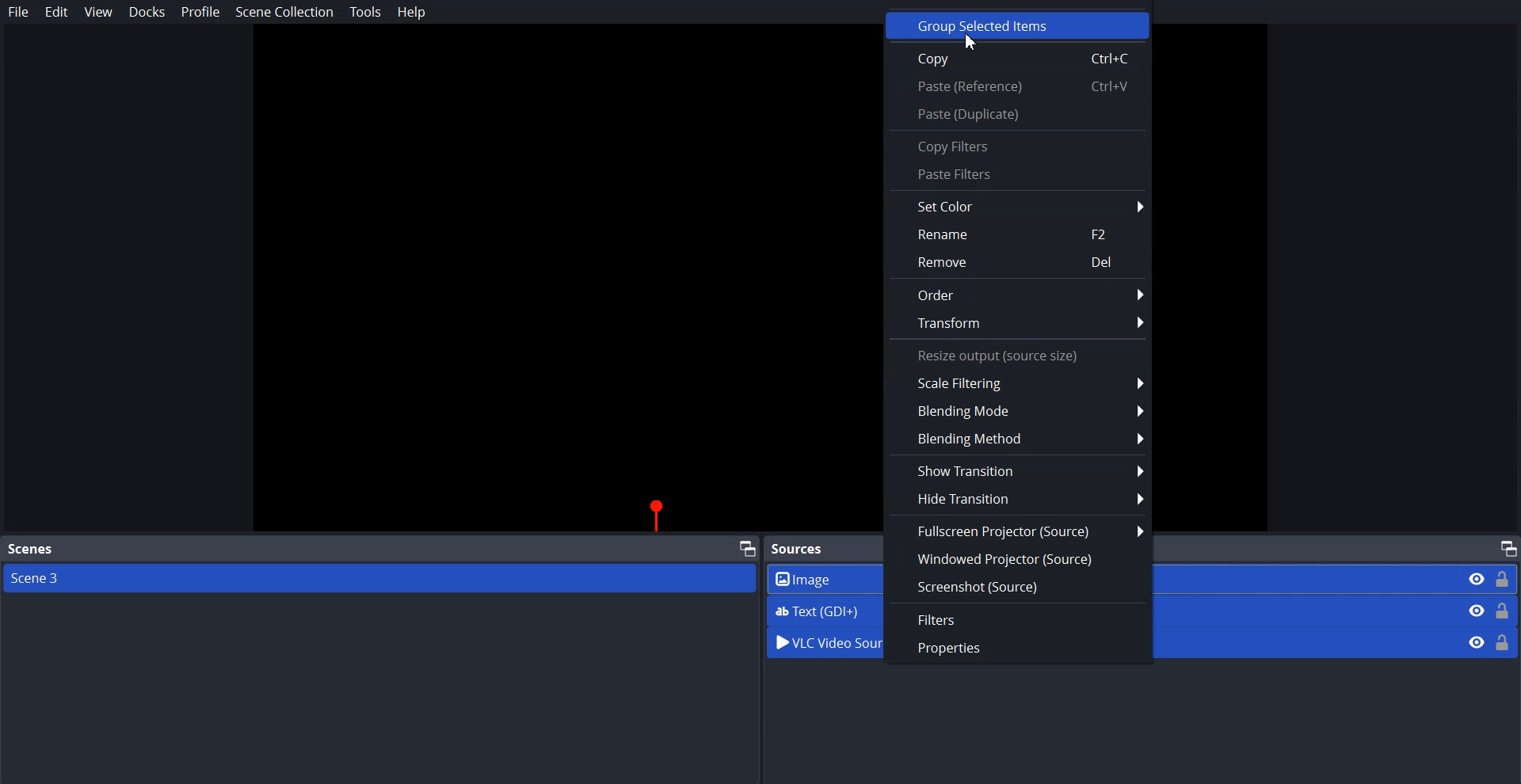 Image resolution: width=1521 pixels, height=784 pixels. Describe the element at coordinates (1017, 58) in the screenshot. I see `Copy` at that location.